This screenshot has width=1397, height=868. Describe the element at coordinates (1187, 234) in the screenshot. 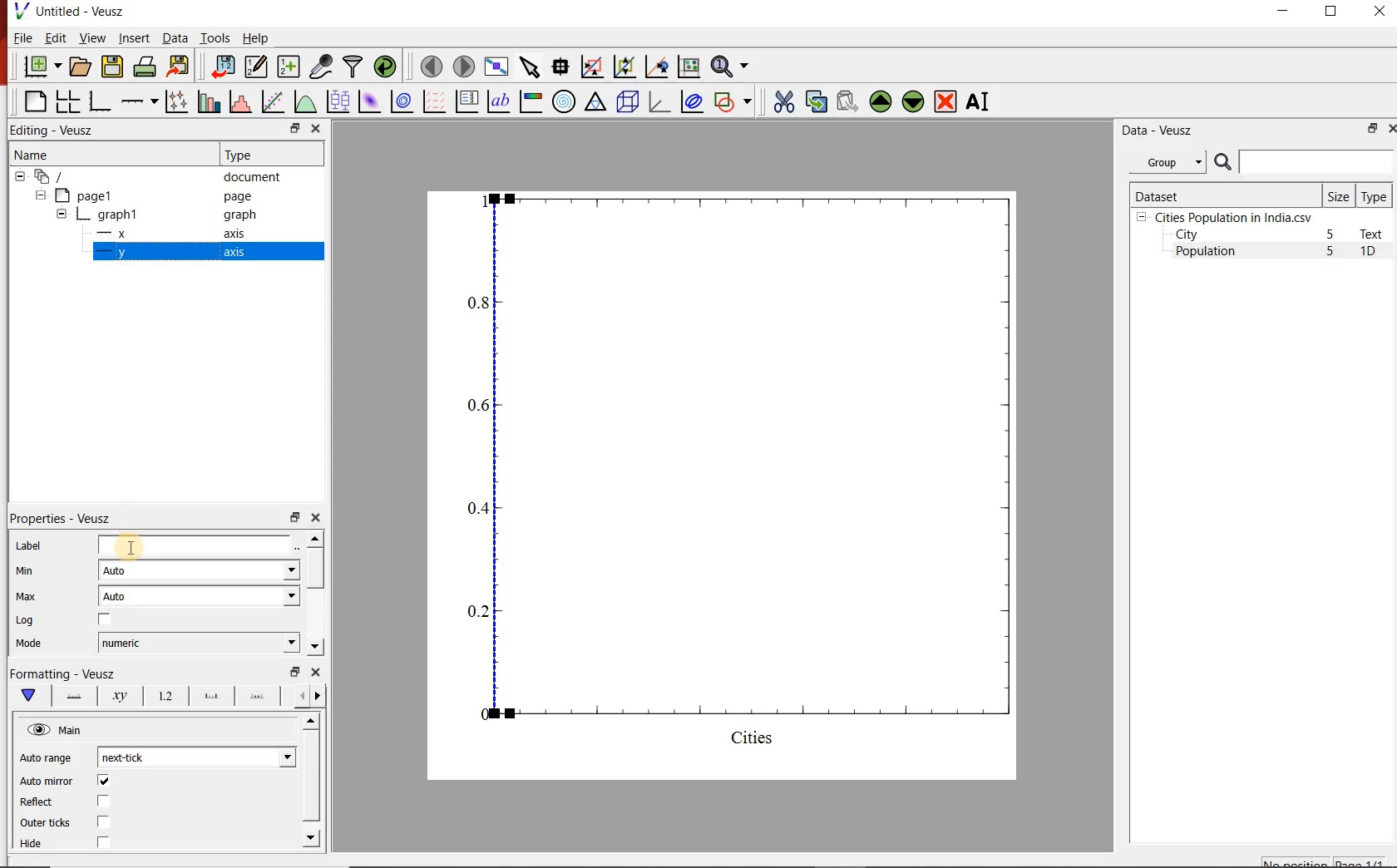

I see `City` at that location.